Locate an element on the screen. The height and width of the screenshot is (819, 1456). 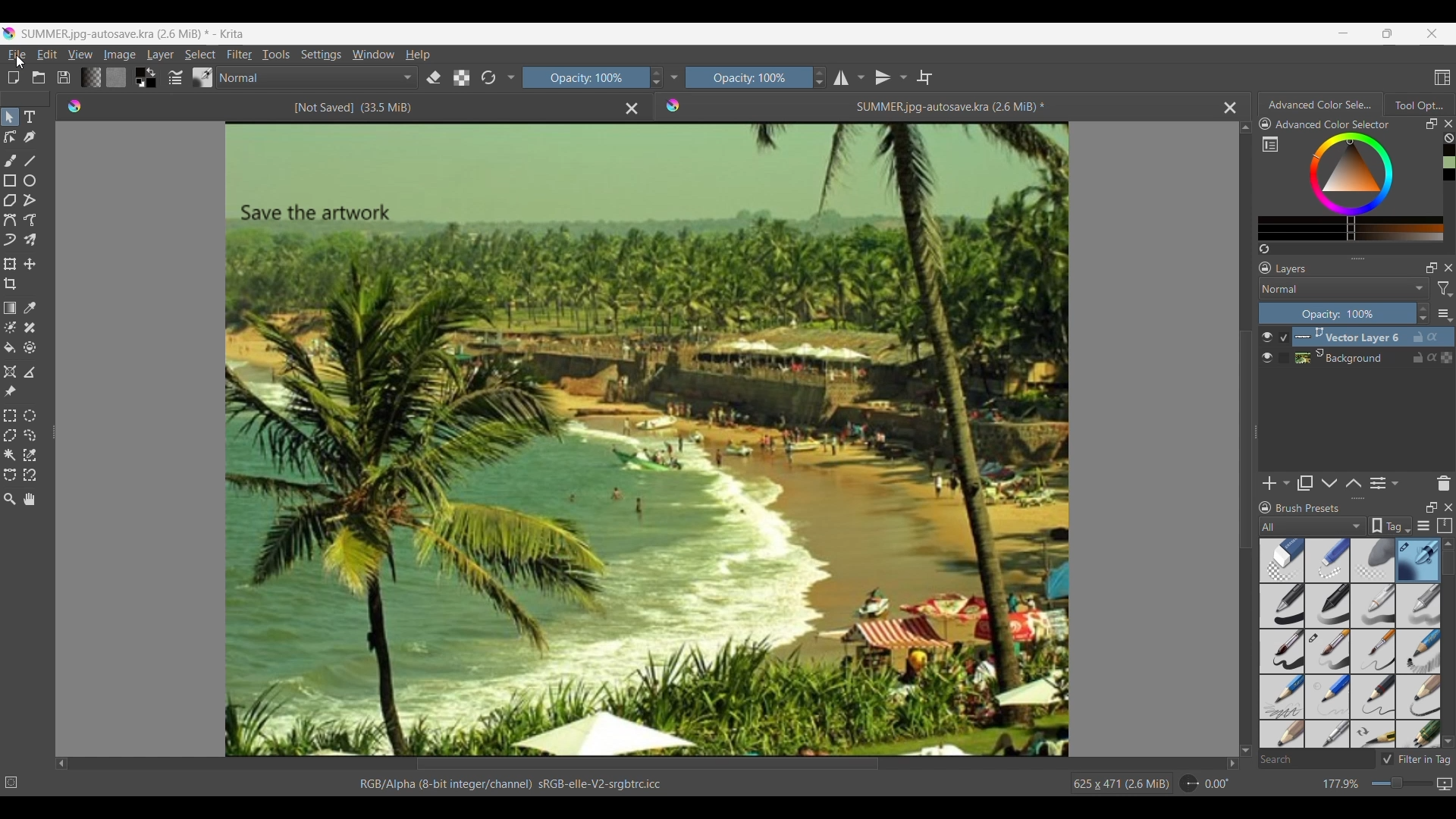
Map displayed canvas between pixel and print size is located at coordinates (1444, 784).